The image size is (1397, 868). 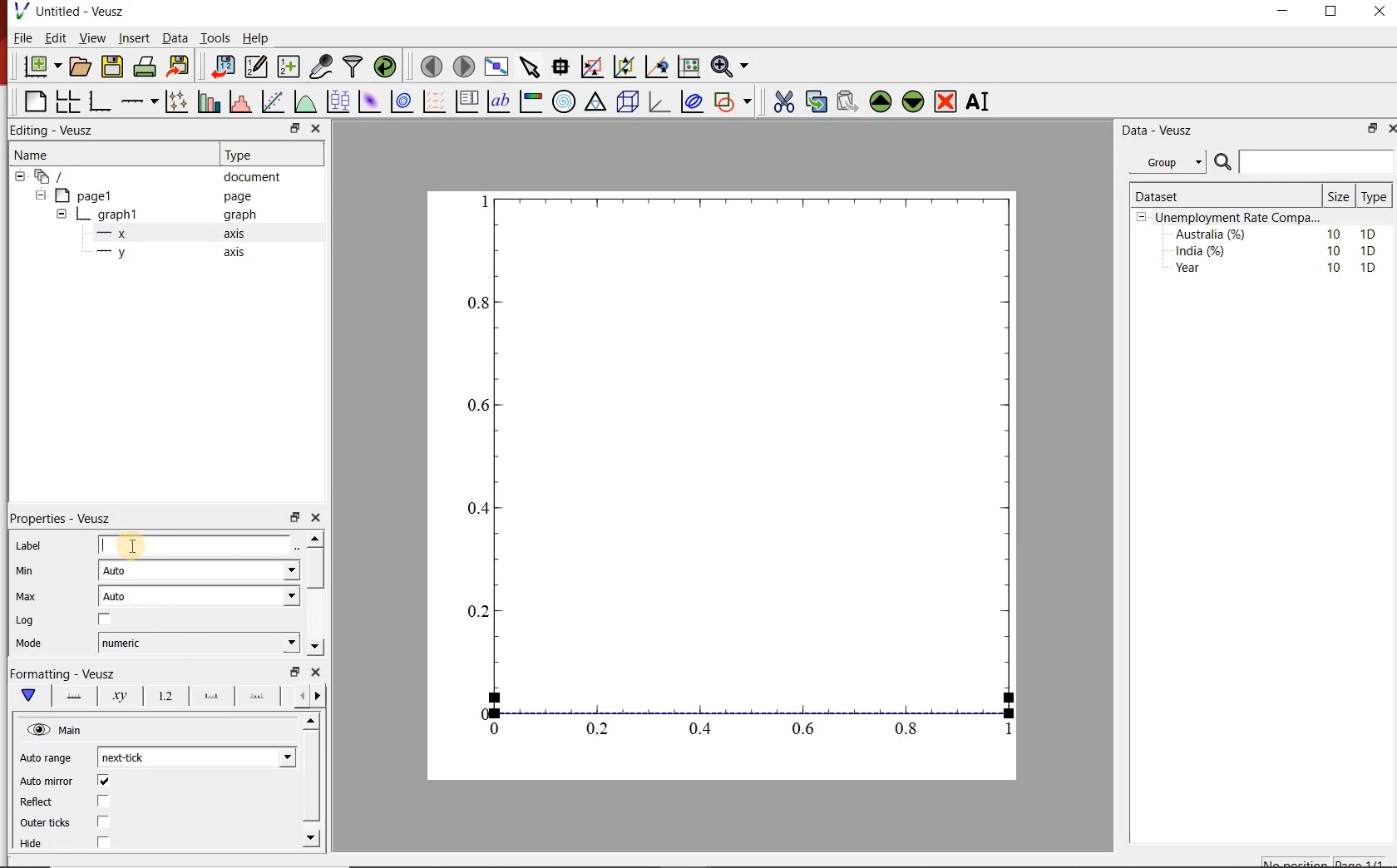 What do you see at coordinates (32, 843) in the screenshot?
I see `Hide` at bounding box center [32, 843].